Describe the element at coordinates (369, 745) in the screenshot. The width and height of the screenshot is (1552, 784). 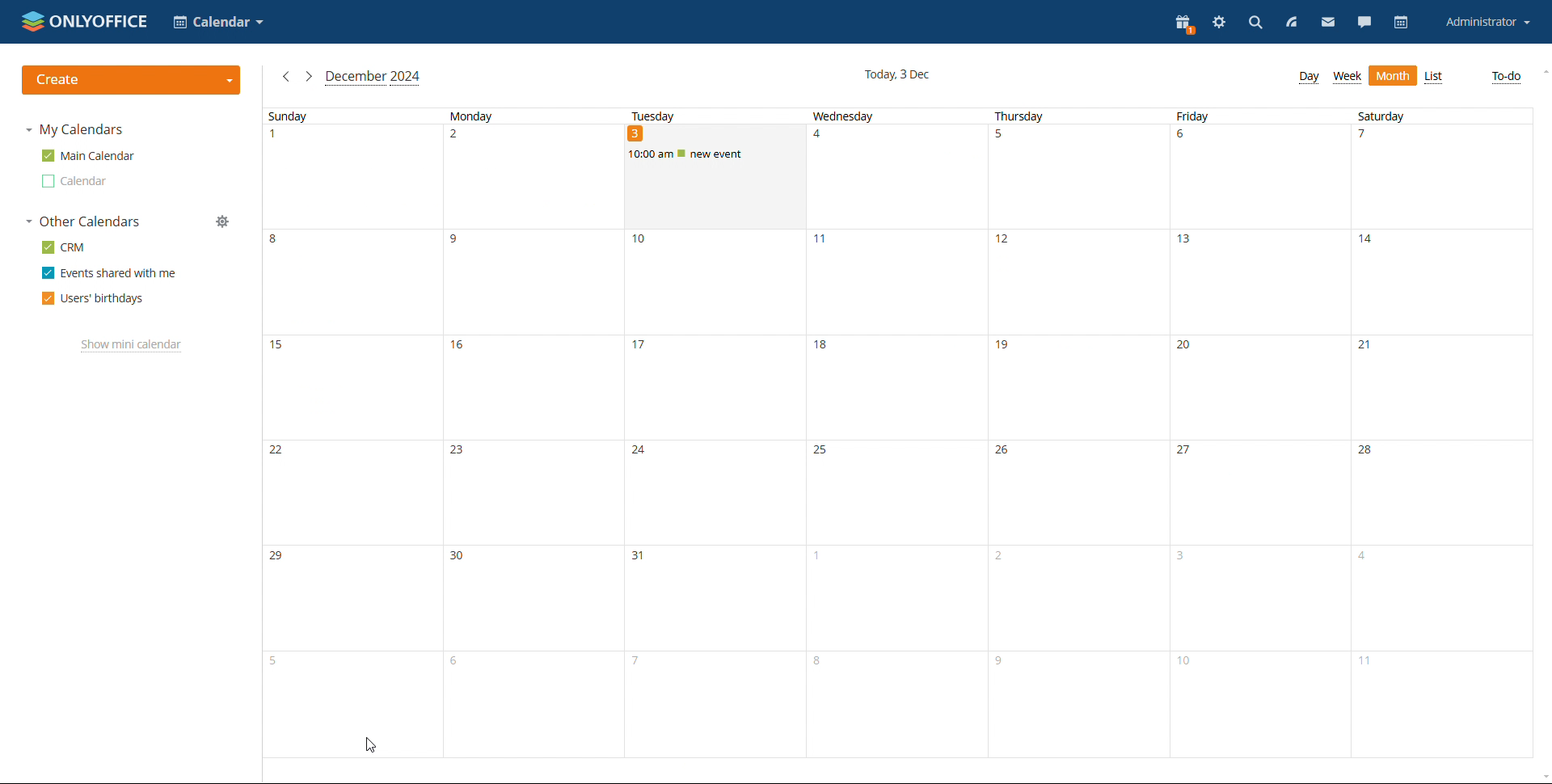
I see `cursor` at that location.